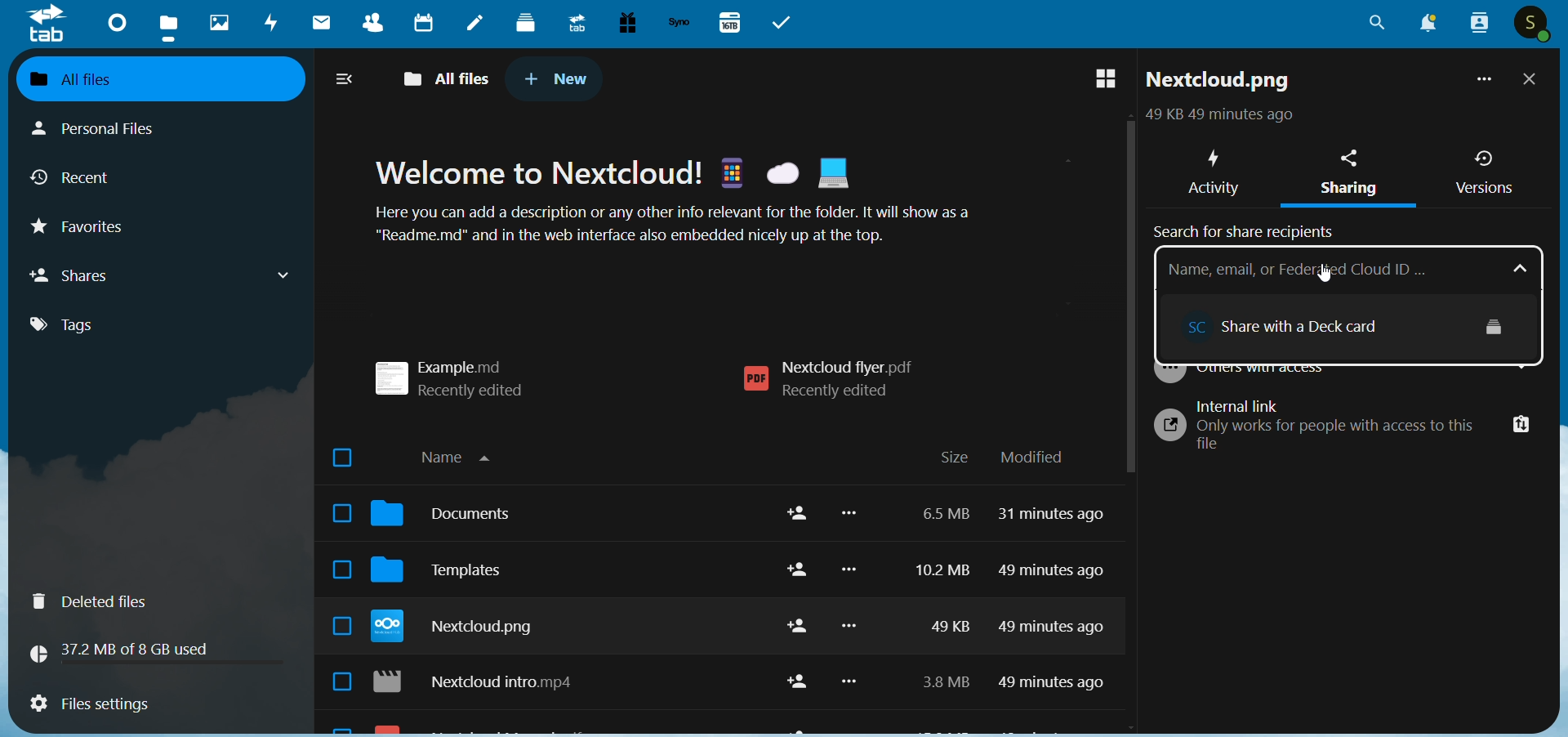  Describe the element at coordinates (1329, 268) in the screenshot. I see `search bar` at that location.